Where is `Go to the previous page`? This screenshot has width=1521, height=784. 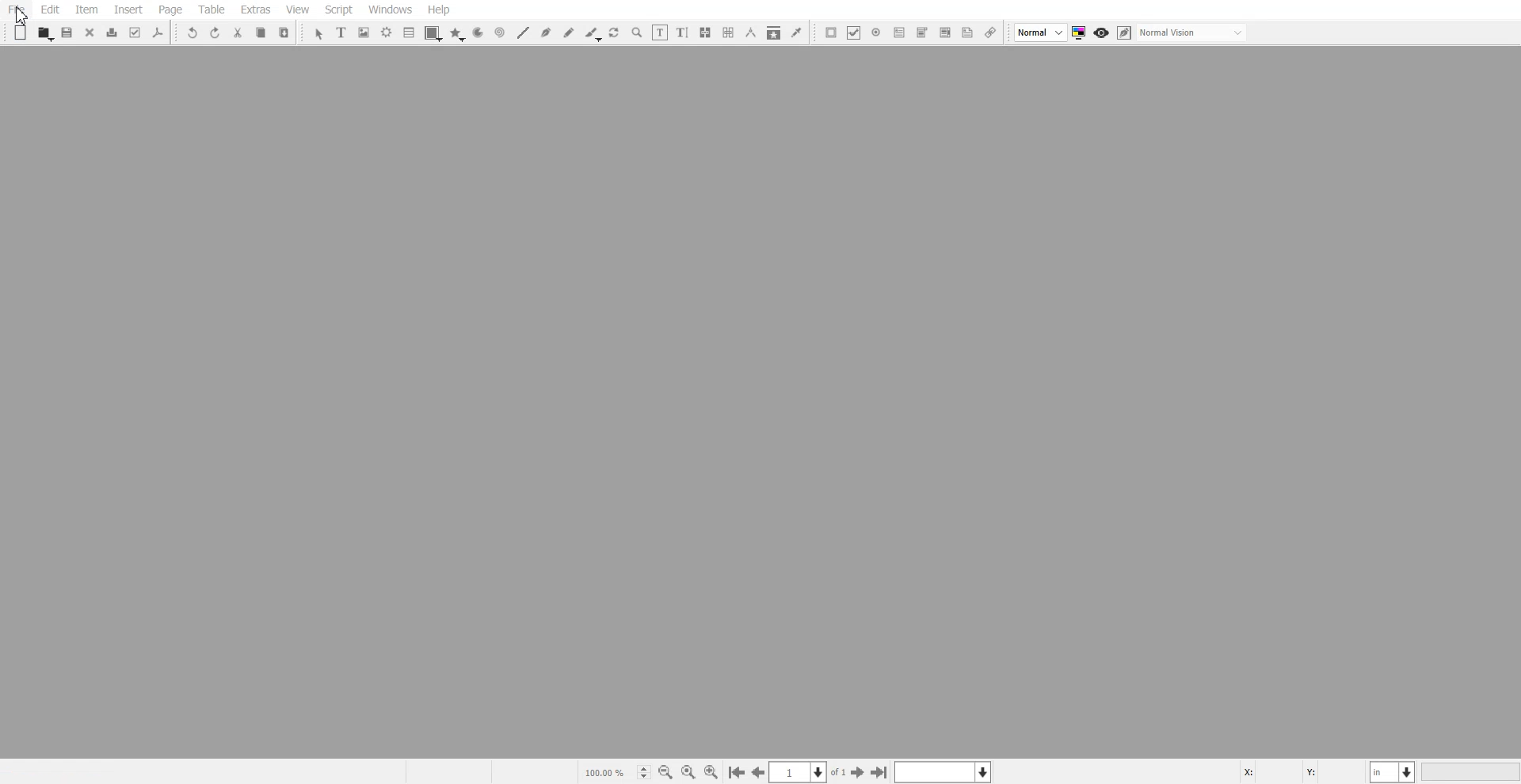
Go to the previous page is located at coordinates (758, 772).